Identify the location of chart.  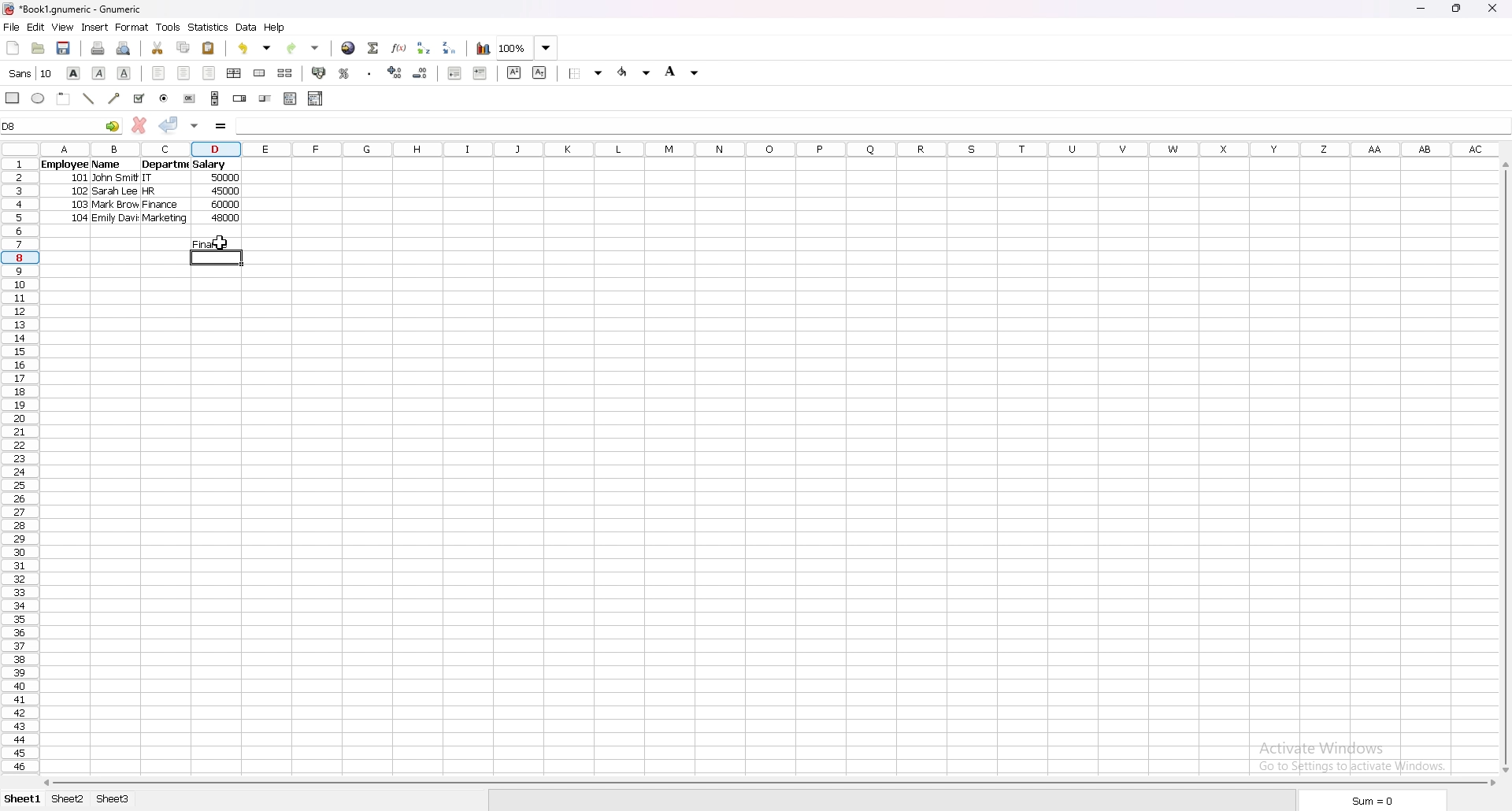
(484, 49).